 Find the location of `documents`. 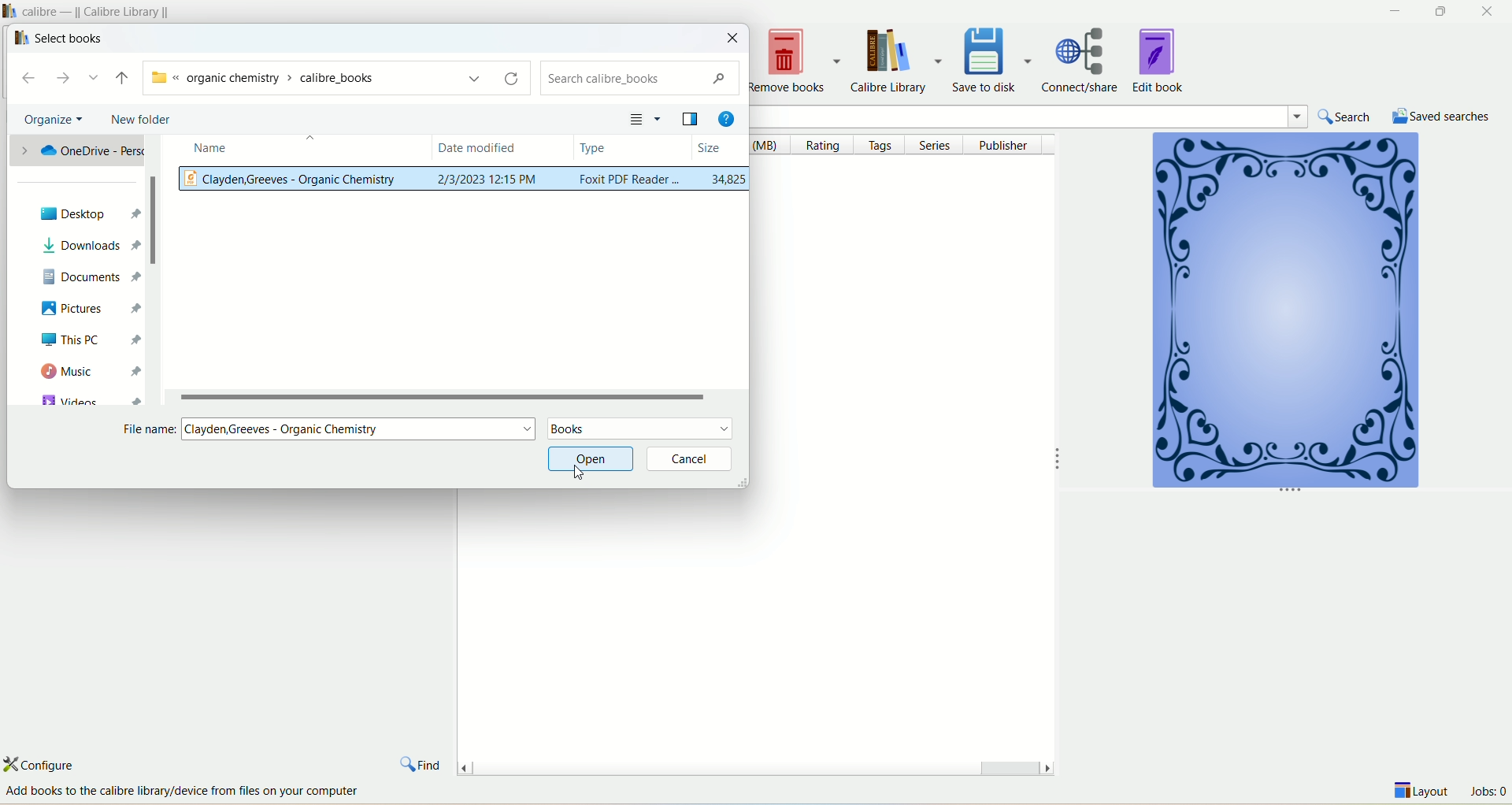

documents is located at coordinates (89, 274).